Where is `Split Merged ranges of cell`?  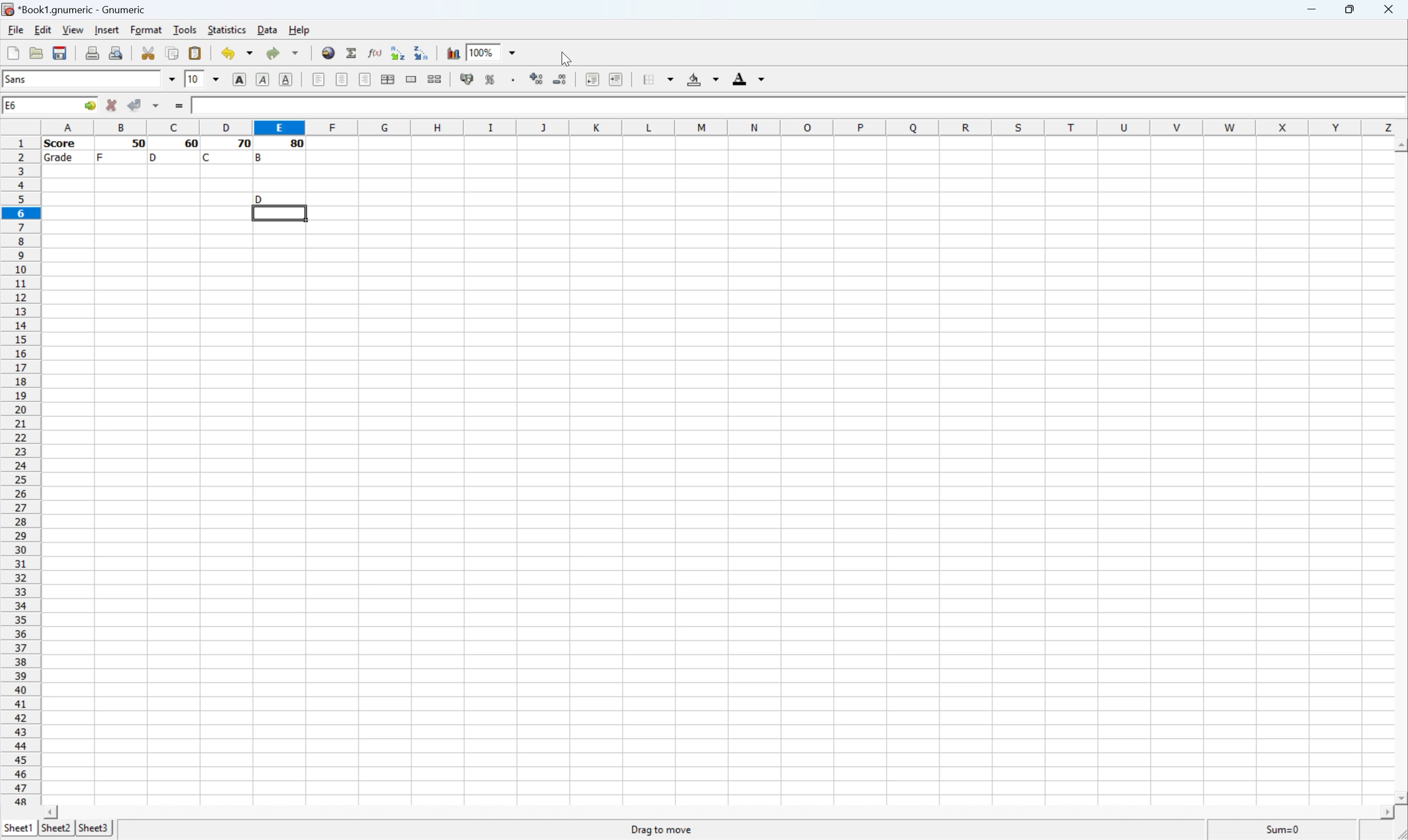 Split Merged ranges of cell is located at coordinates (433, 81).